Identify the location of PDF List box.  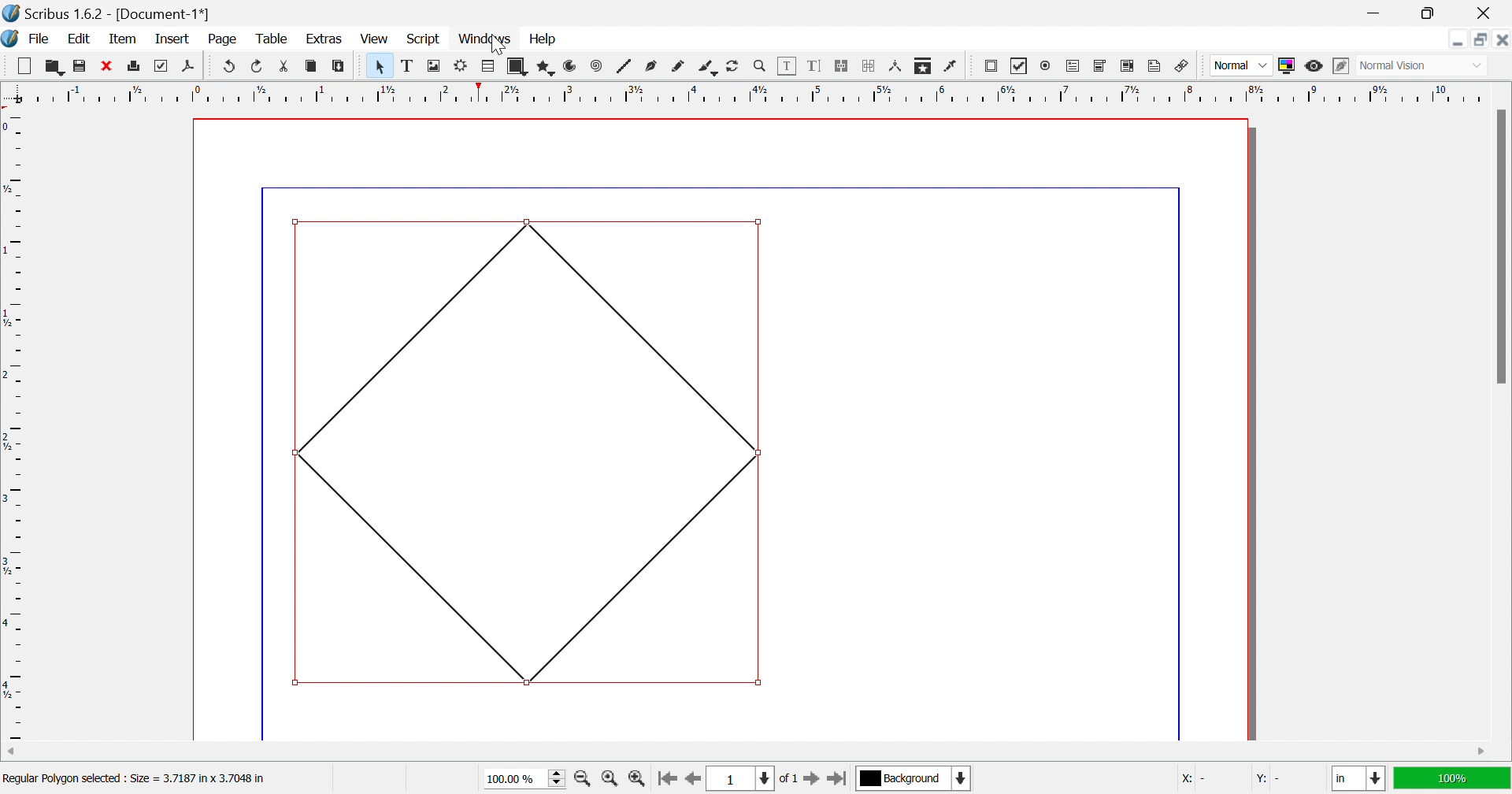
(1128, 65).